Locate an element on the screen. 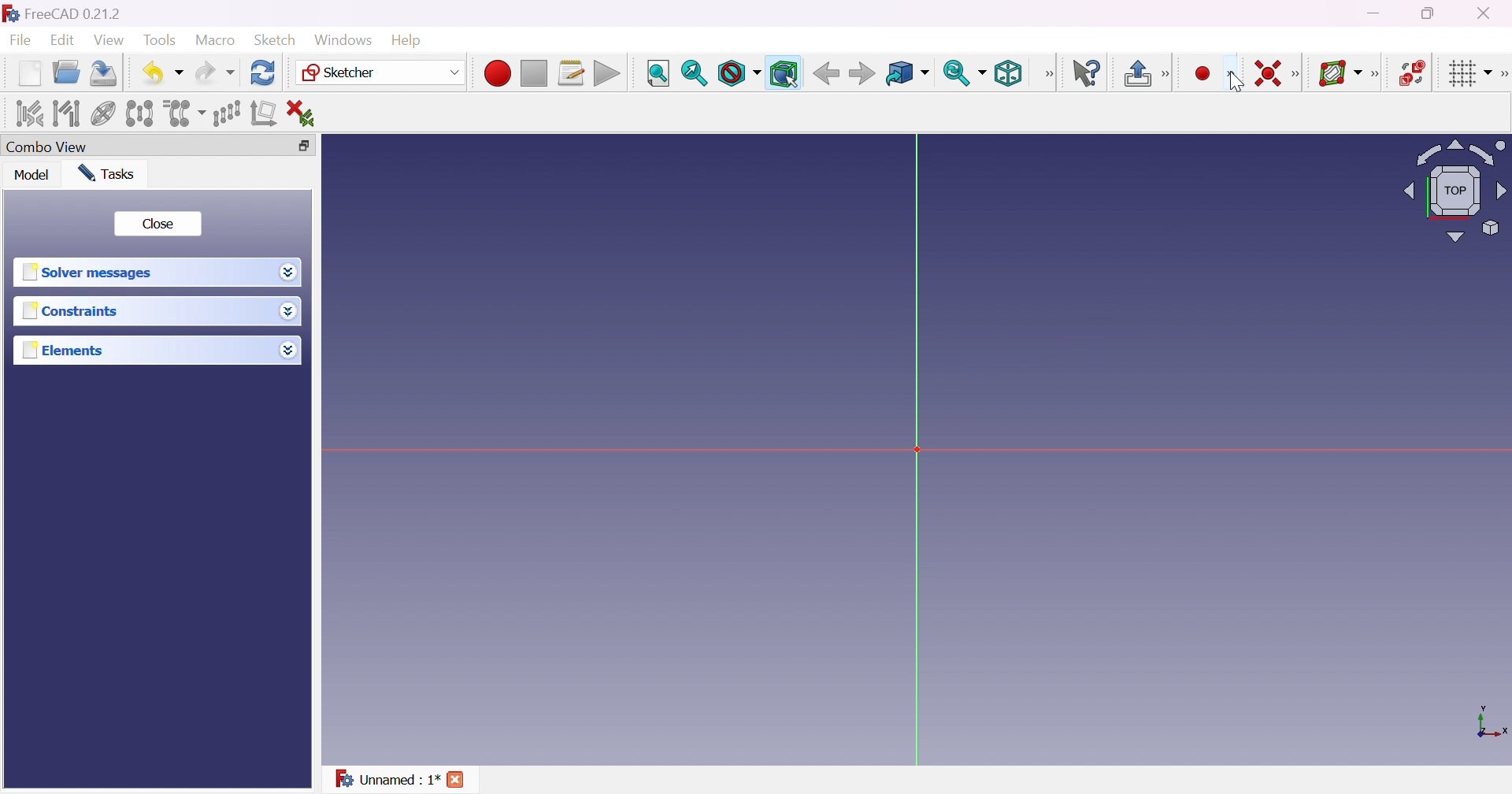 The width and height of the screenshot is (1512, 794). Delete all constraints is located at coordinates (307, 113).